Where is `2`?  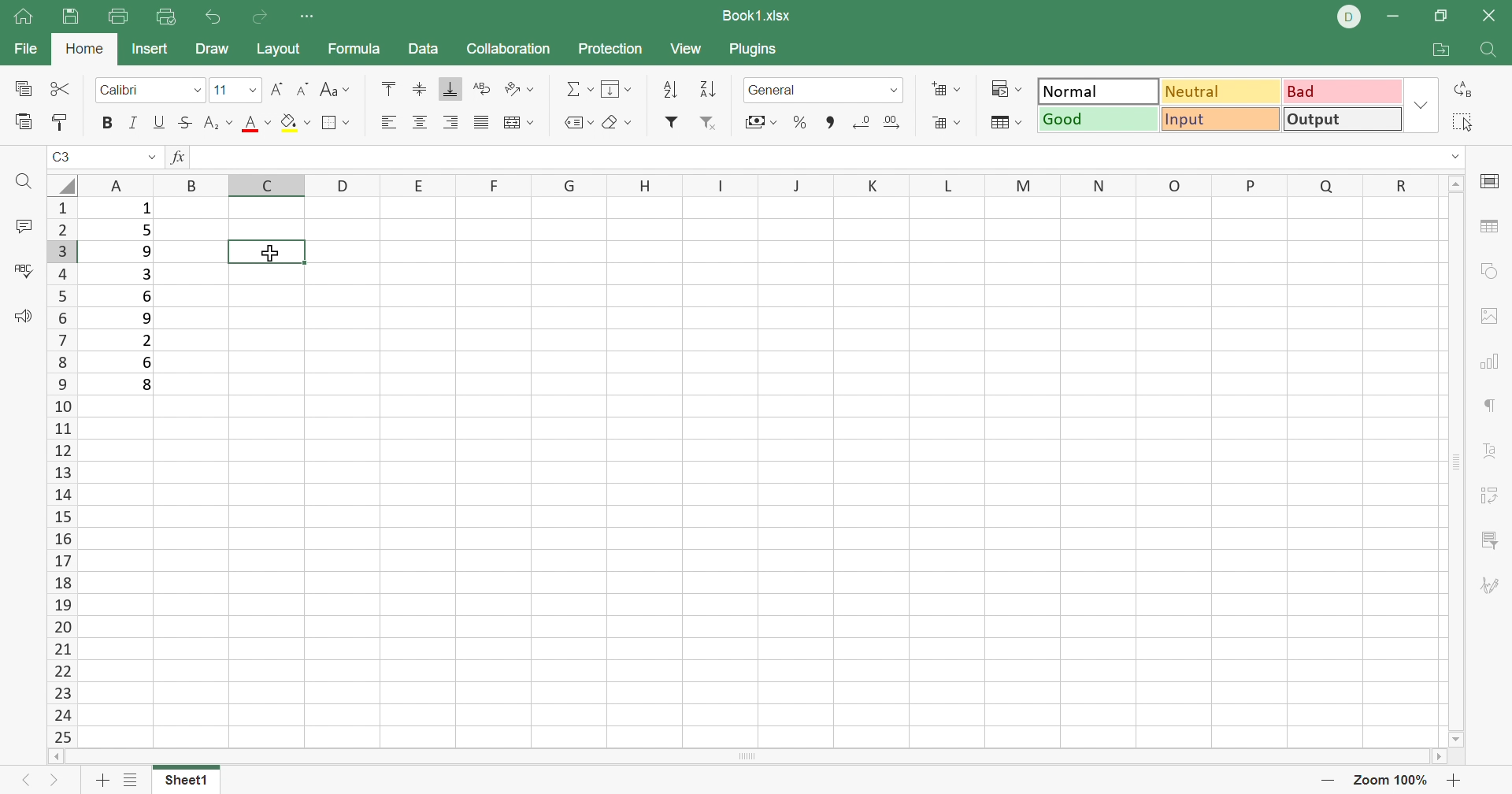 2 is located at coordinates (146, 340).